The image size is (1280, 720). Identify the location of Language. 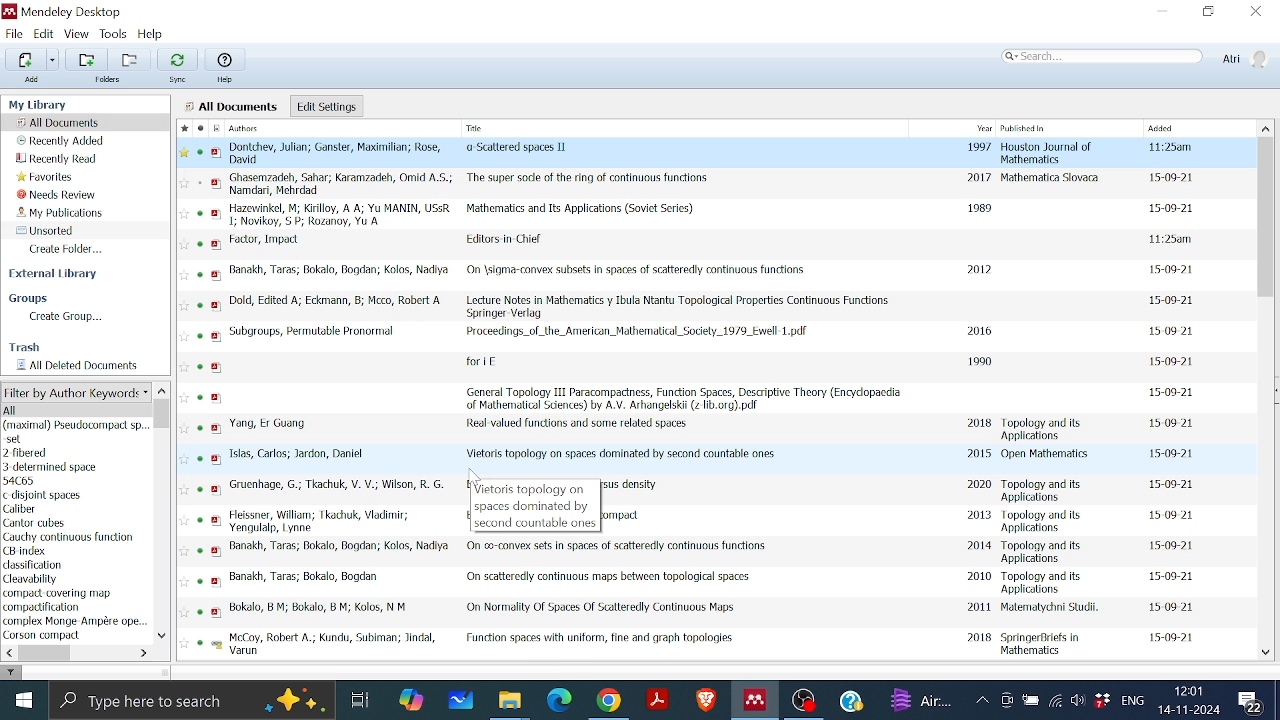
(1132, 699).